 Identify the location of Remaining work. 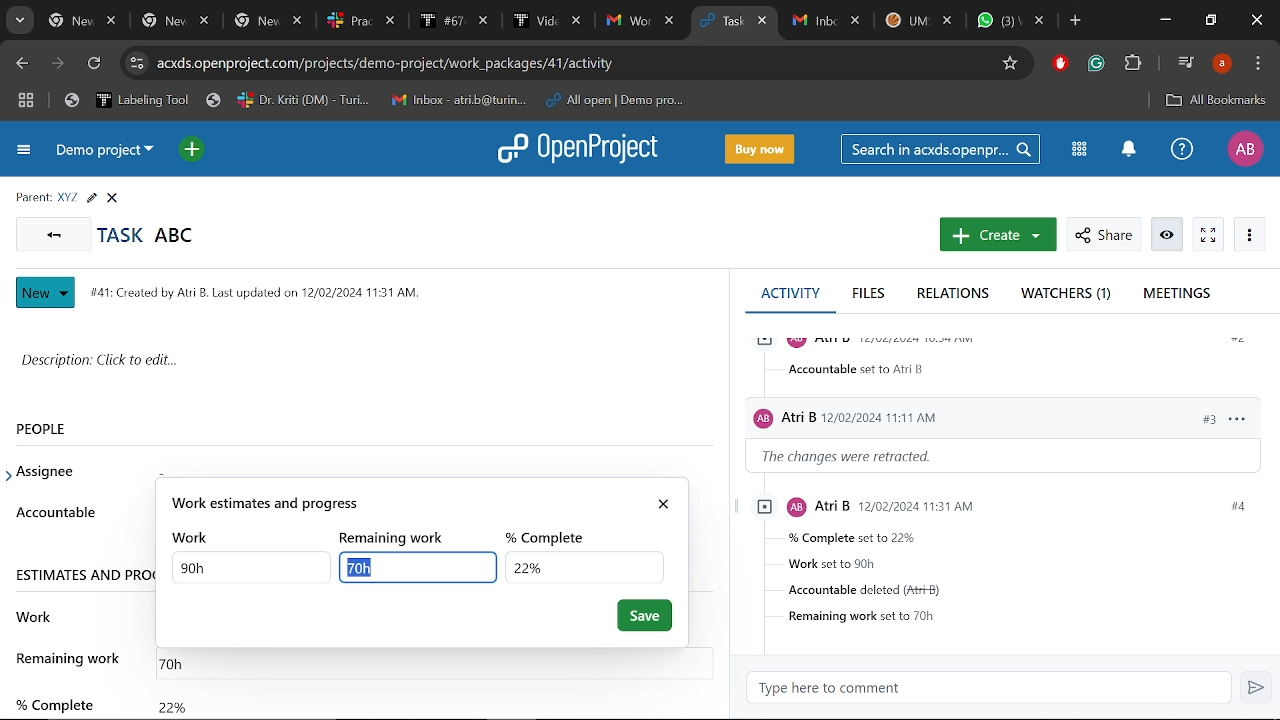
(181, 660).